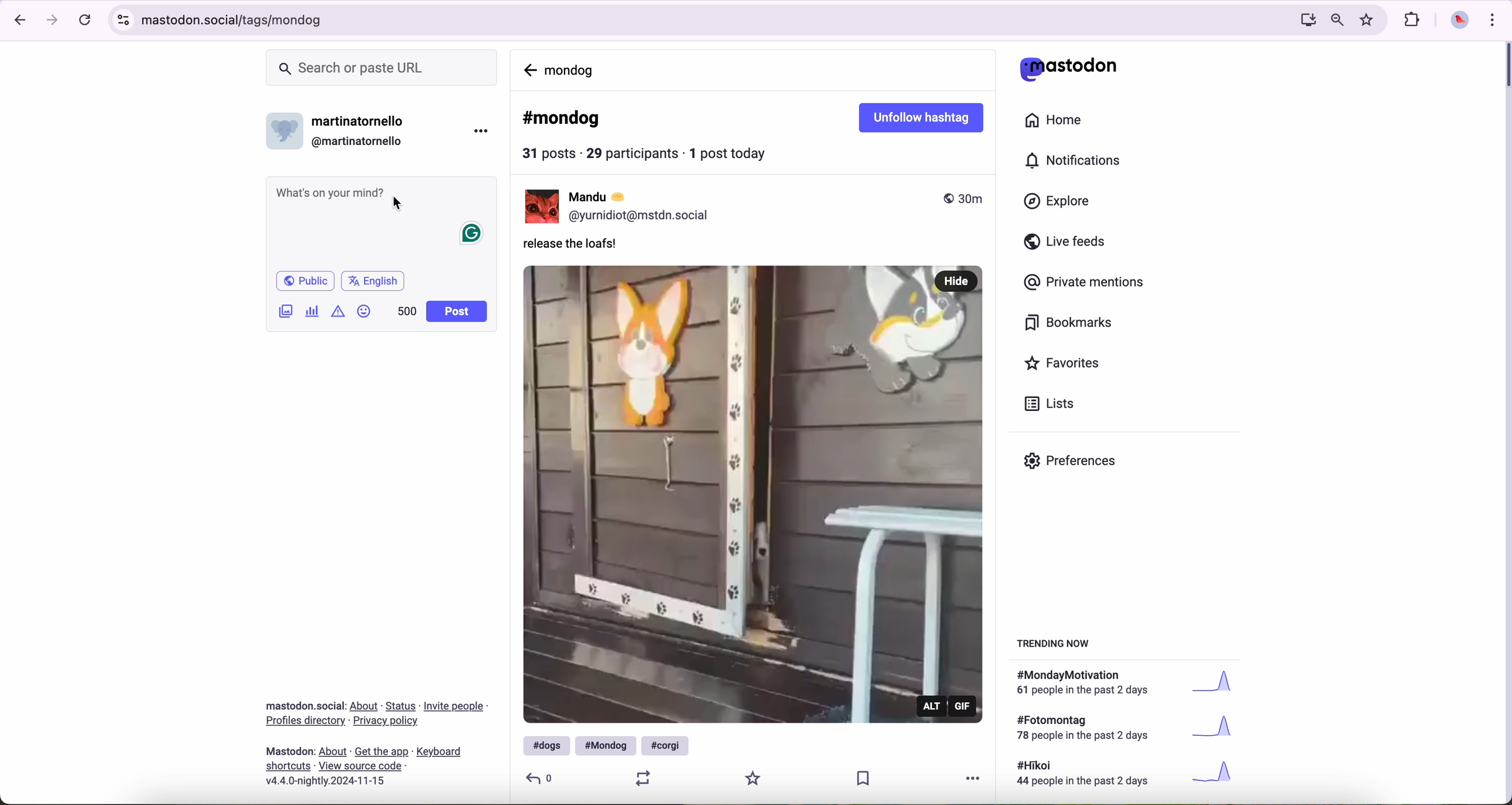 Image resolution: width=1512 pixels, height=805 pixels. Describe the element at coordinates (575, 247) in the screenshot. I see `release the loafs!` at that location.